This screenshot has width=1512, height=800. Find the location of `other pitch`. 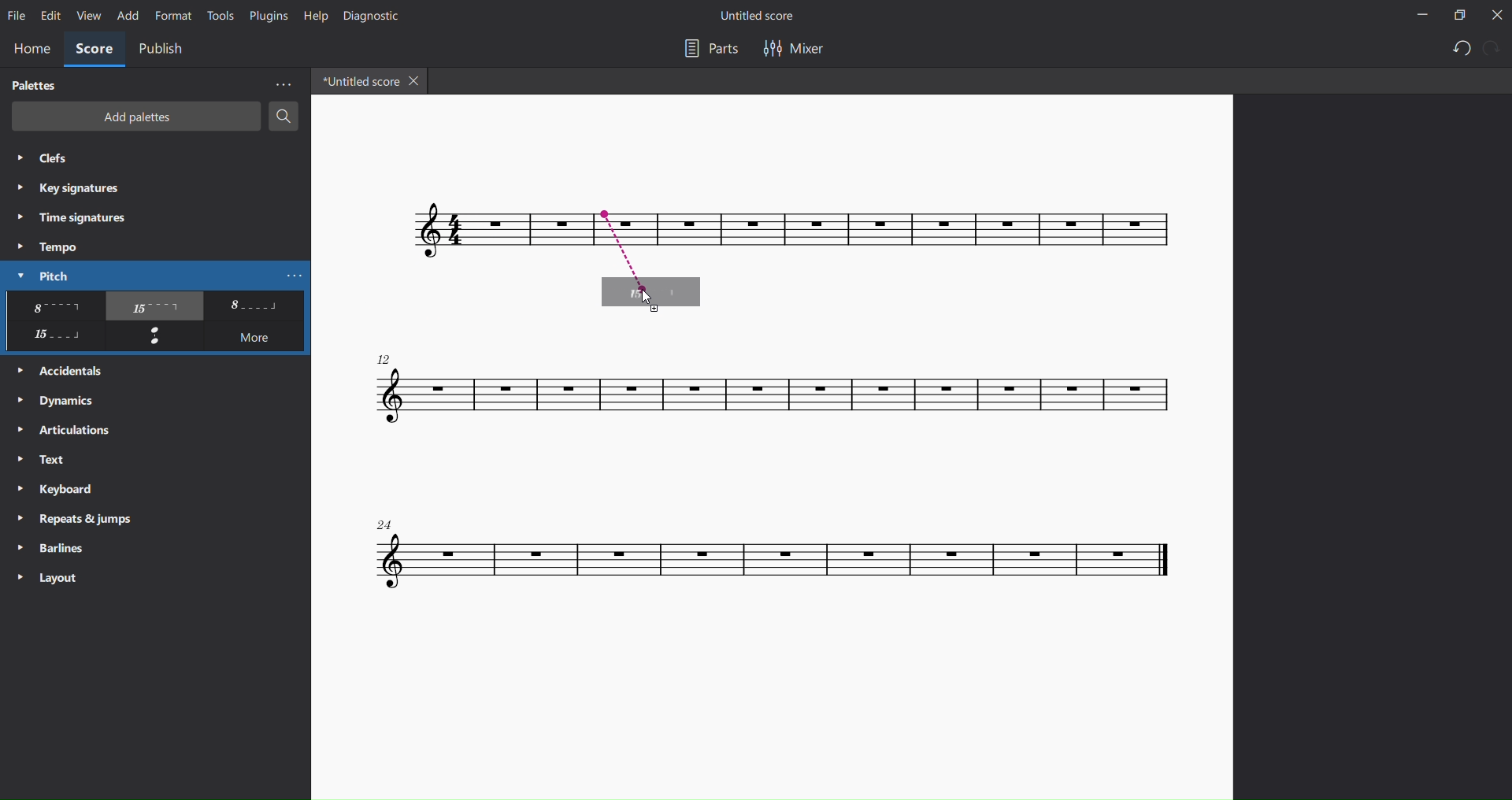

other pitch is located at coordinates (53, 337).